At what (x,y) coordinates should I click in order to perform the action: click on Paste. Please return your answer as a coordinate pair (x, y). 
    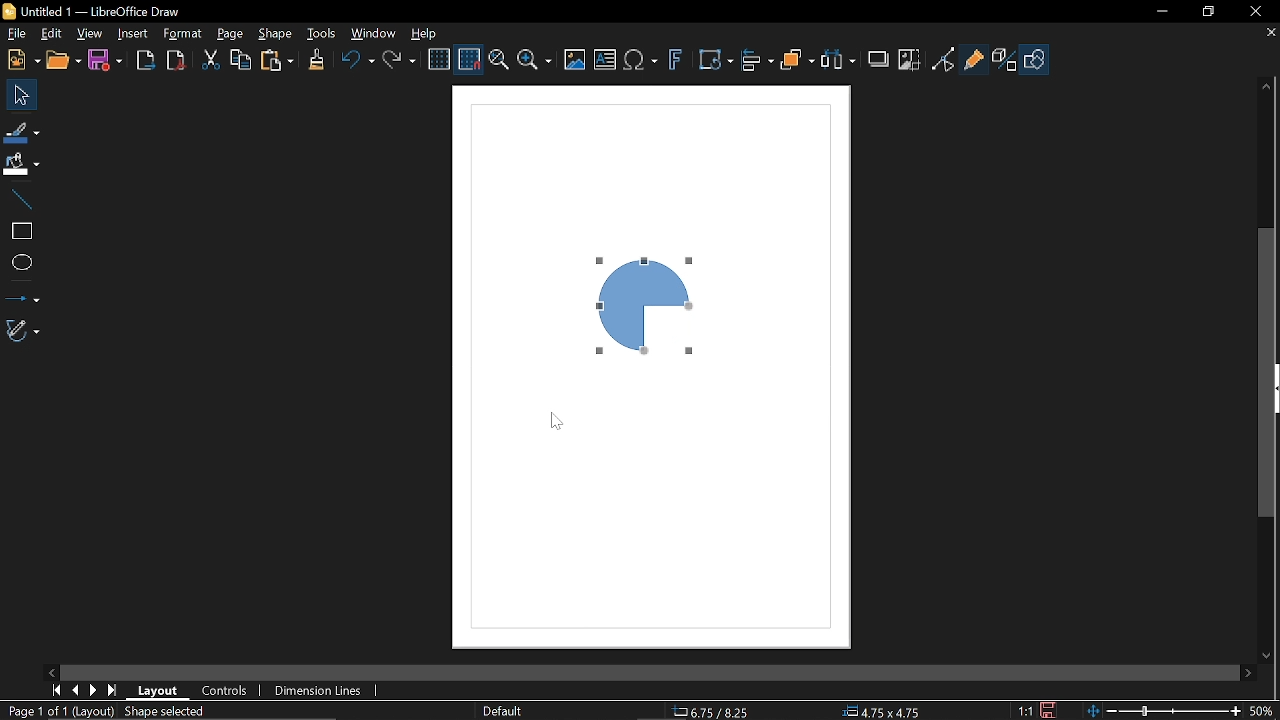
    Looking at the image, I should click on (277, 61).